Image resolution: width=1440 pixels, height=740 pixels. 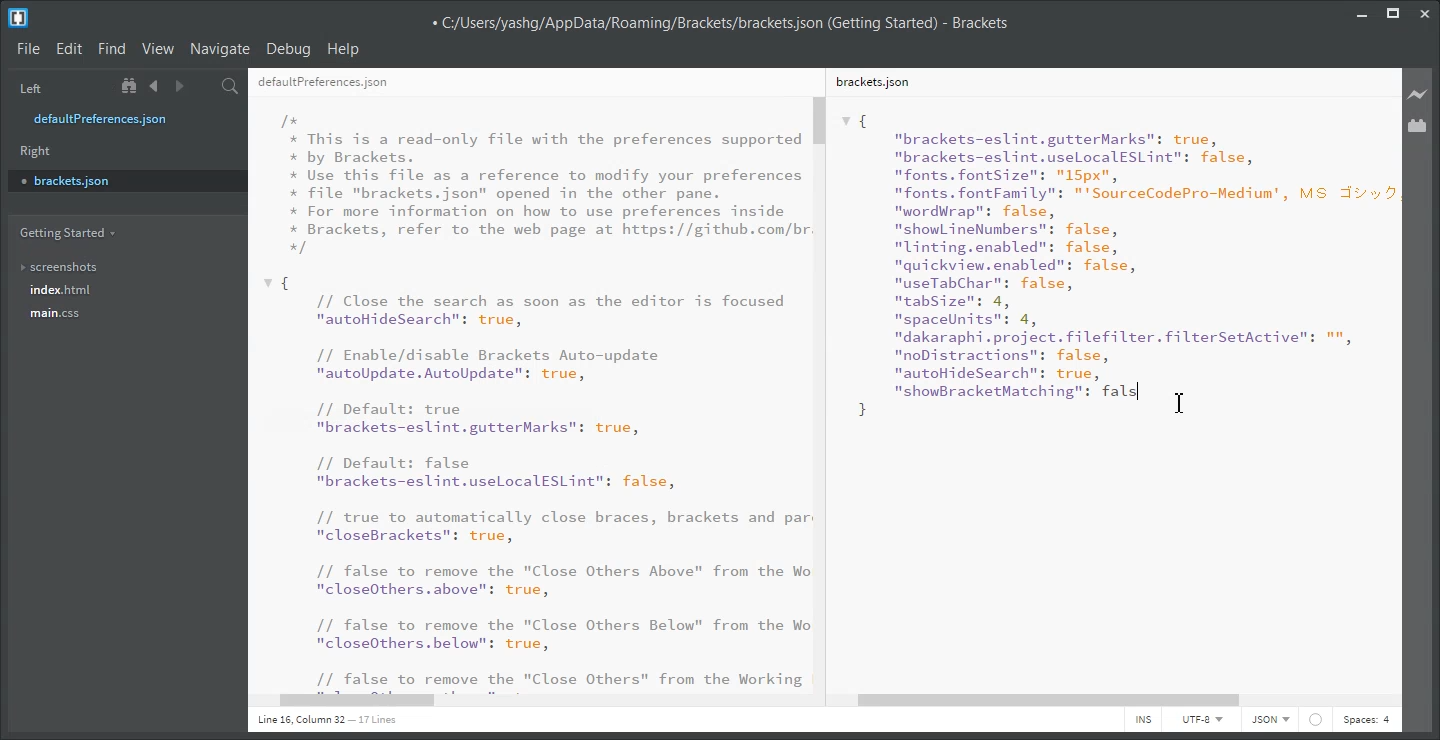 What do you see at coordinates (231, 86) in the screenshot?
I see `Find in files` at bounding box center [231, 86].